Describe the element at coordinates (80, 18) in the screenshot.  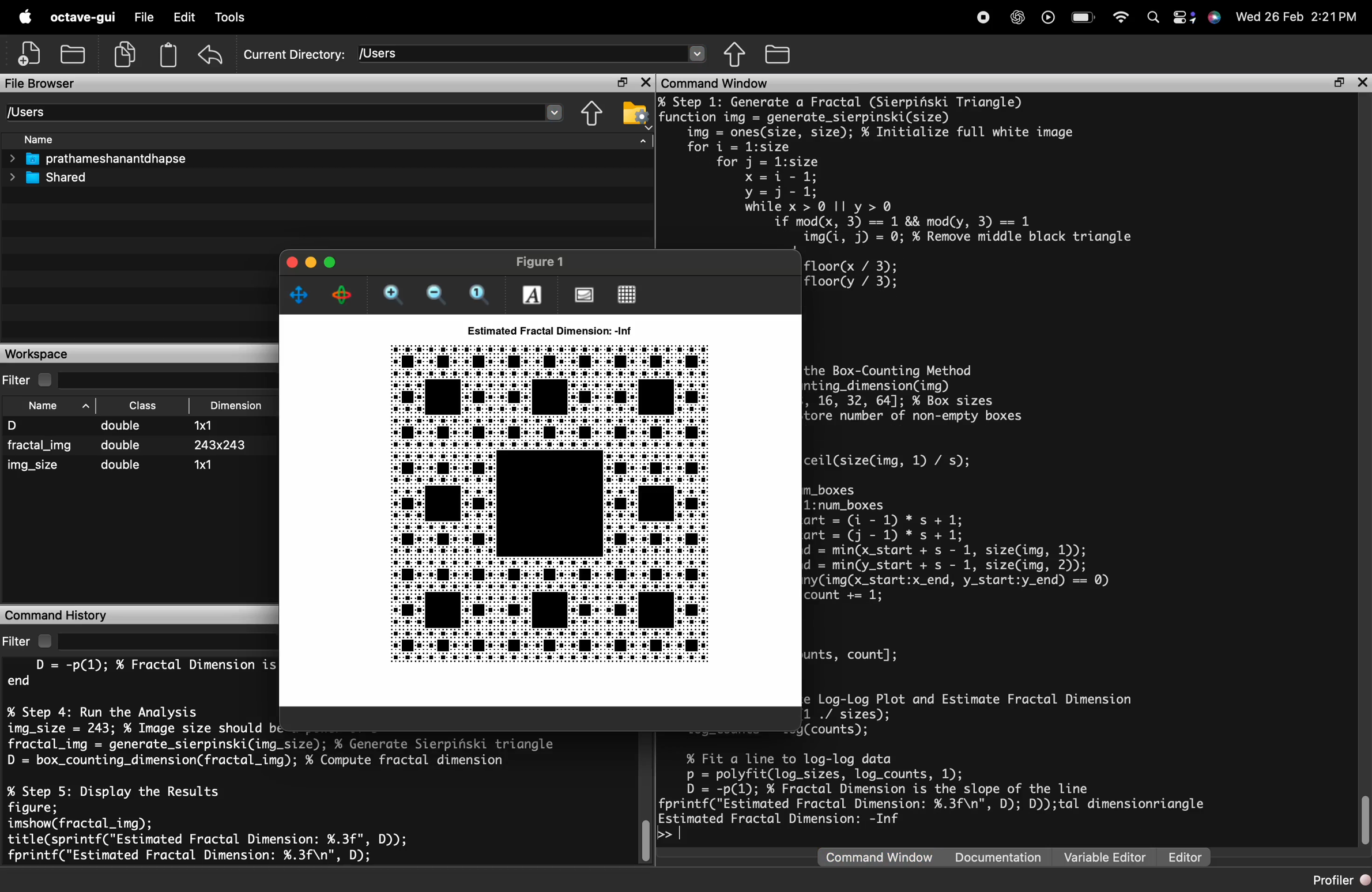
I see `octave-gui` at that location.